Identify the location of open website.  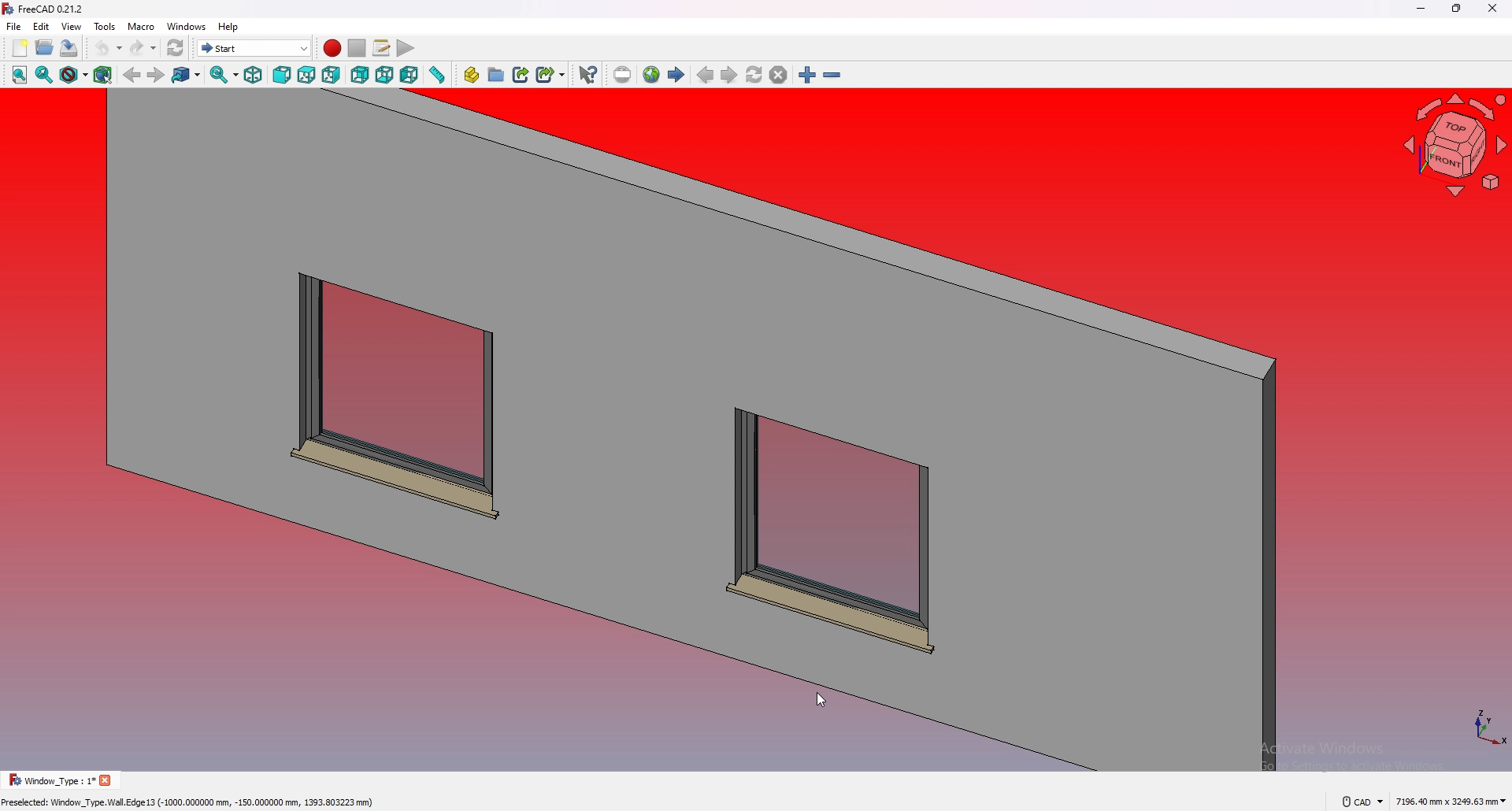
(653, 75).